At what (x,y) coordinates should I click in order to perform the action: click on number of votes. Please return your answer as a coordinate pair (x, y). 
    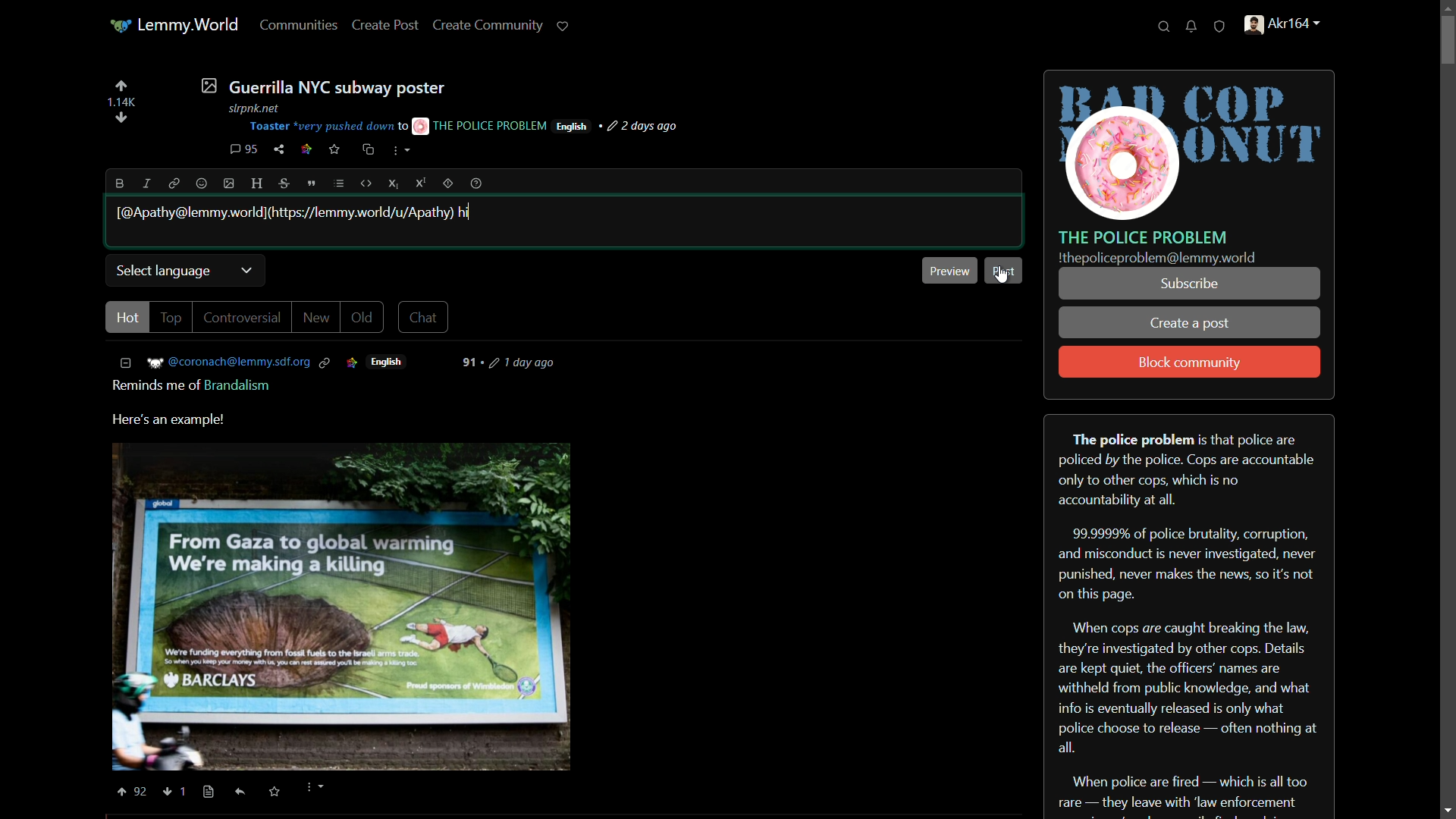
    Looking at the image, I should click on (121, 102).